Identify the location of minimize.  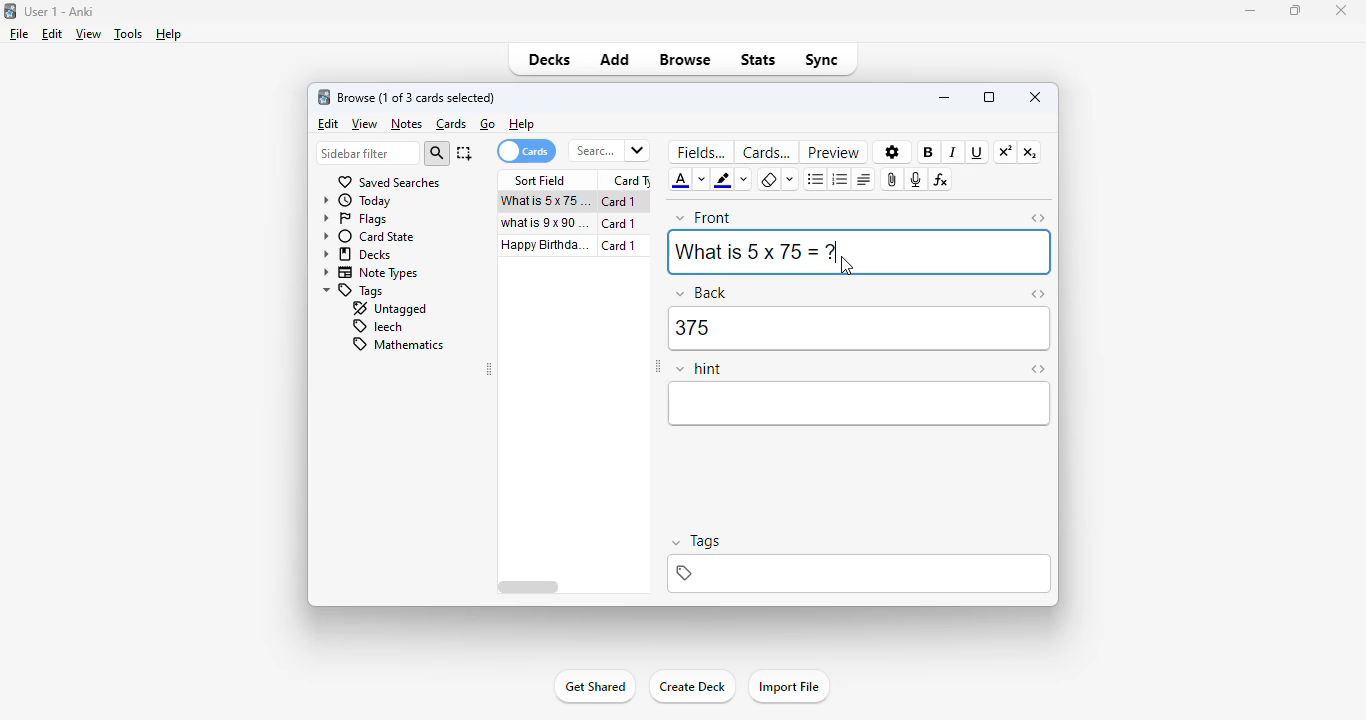
(944, 98).